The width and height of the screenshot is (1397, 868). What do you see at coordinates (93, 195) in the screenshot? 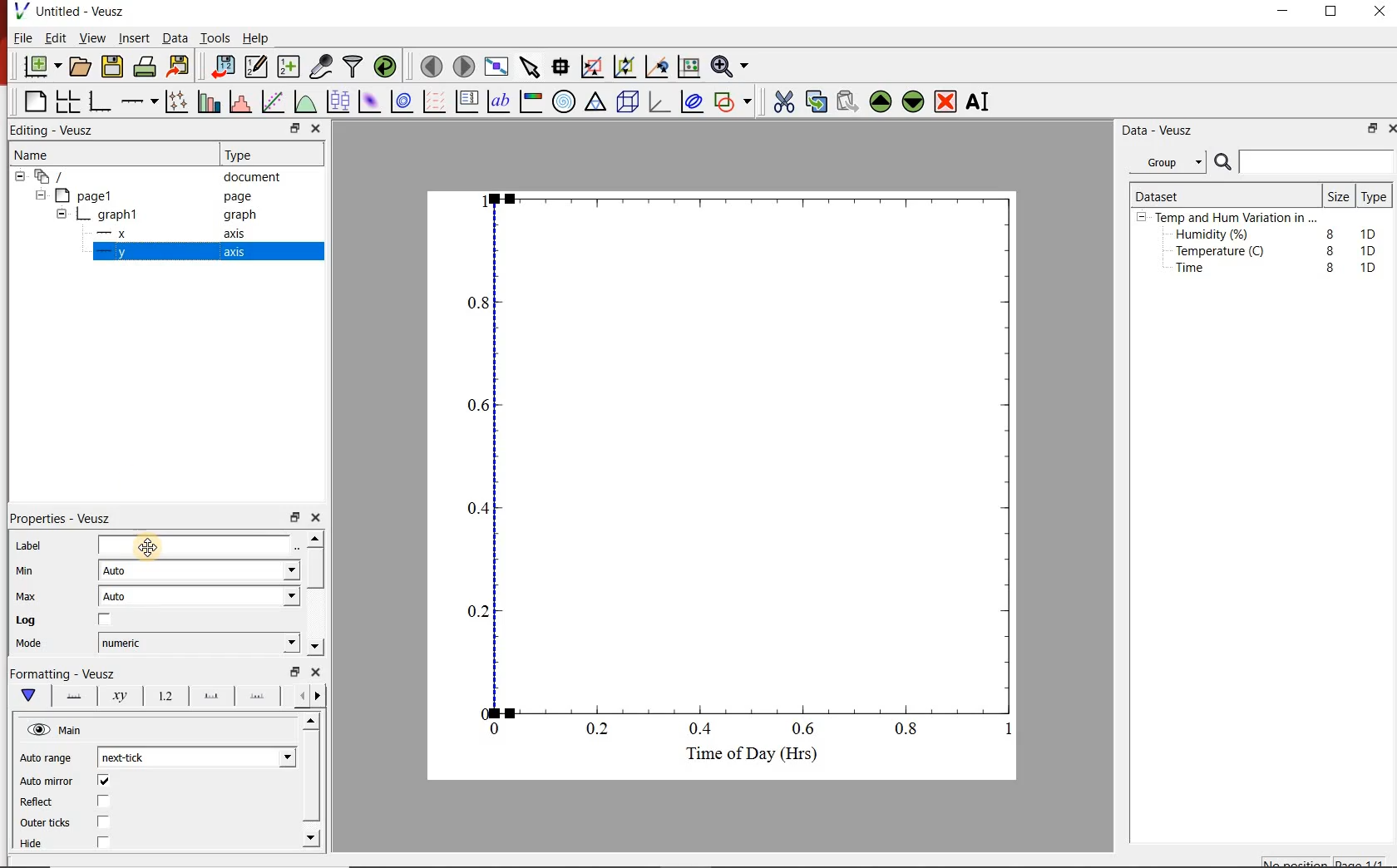
I see `page1` at bounding box center [93, 195].